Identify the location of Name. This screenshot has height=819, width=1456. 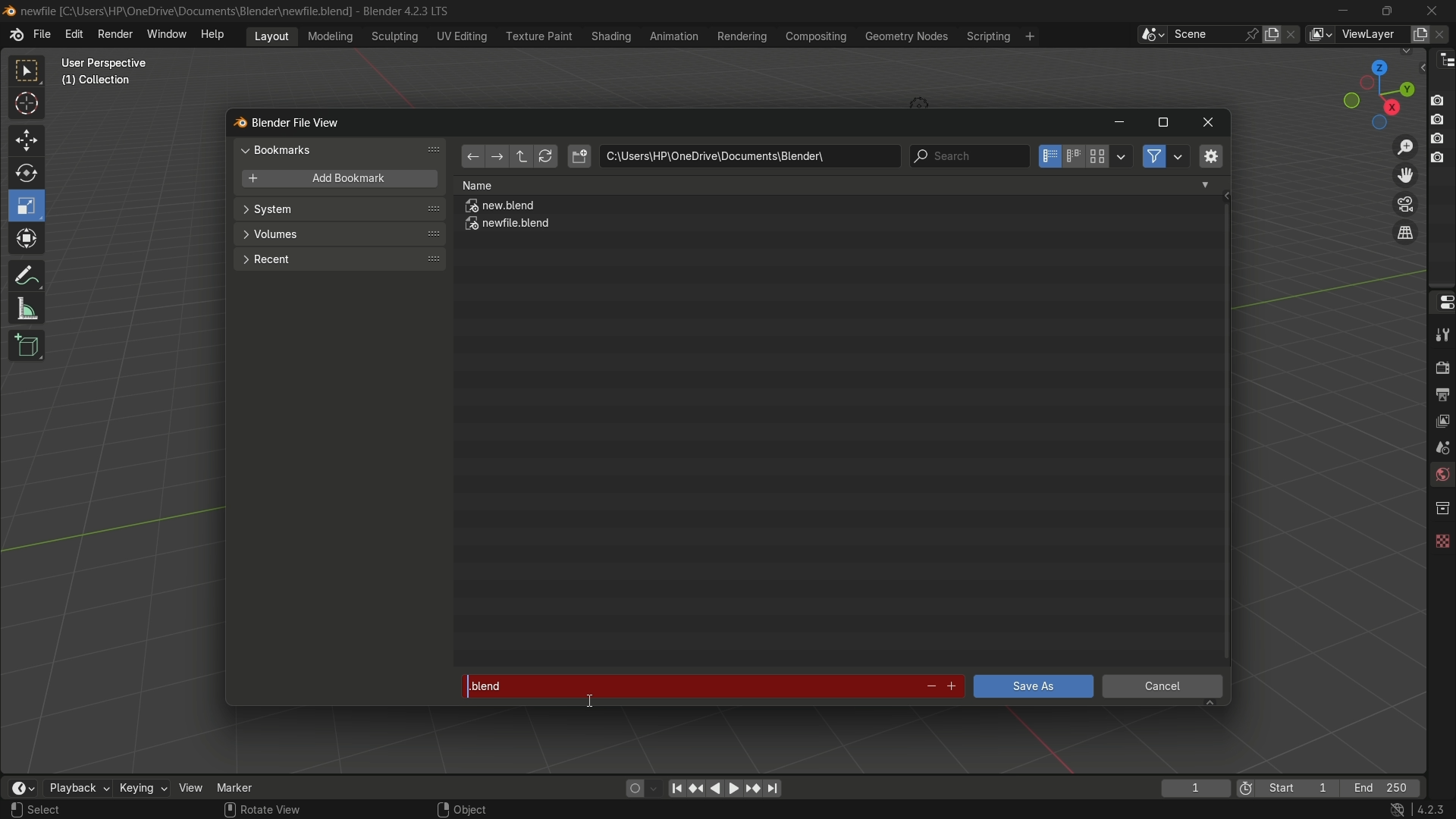
(836, 185).